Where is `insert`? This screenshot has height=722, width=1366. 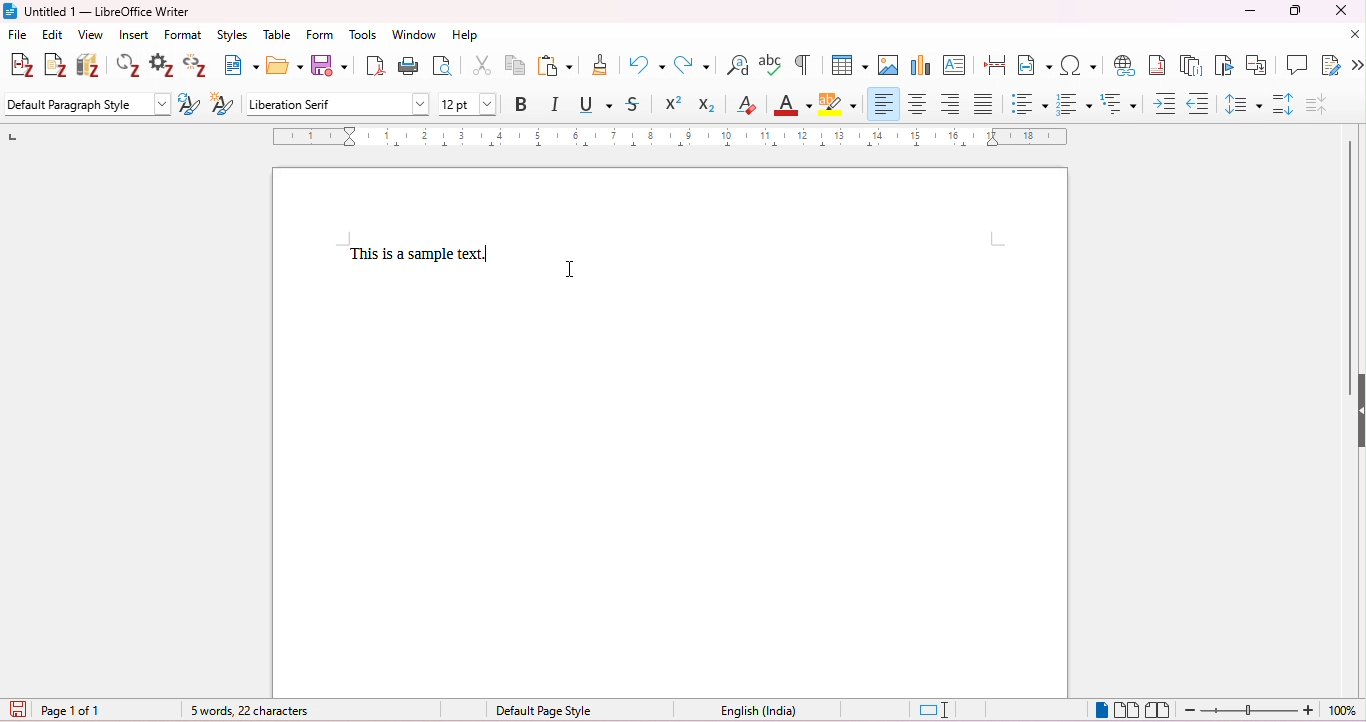
insert is located at coordinates (136, 35).